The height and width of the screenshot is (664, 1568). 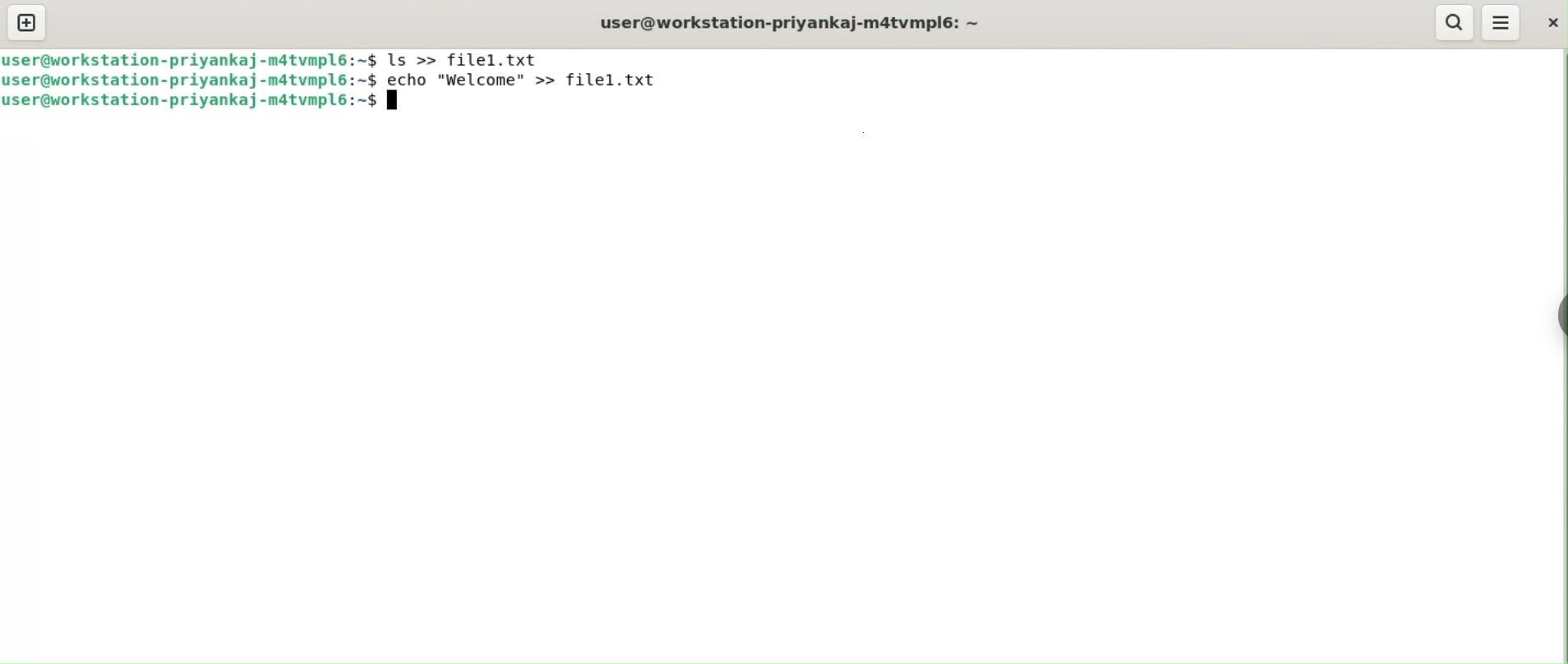 I want to click on user@workstation-priyankaj-m4tvmpl6: ~, so click(x=791, y=22).